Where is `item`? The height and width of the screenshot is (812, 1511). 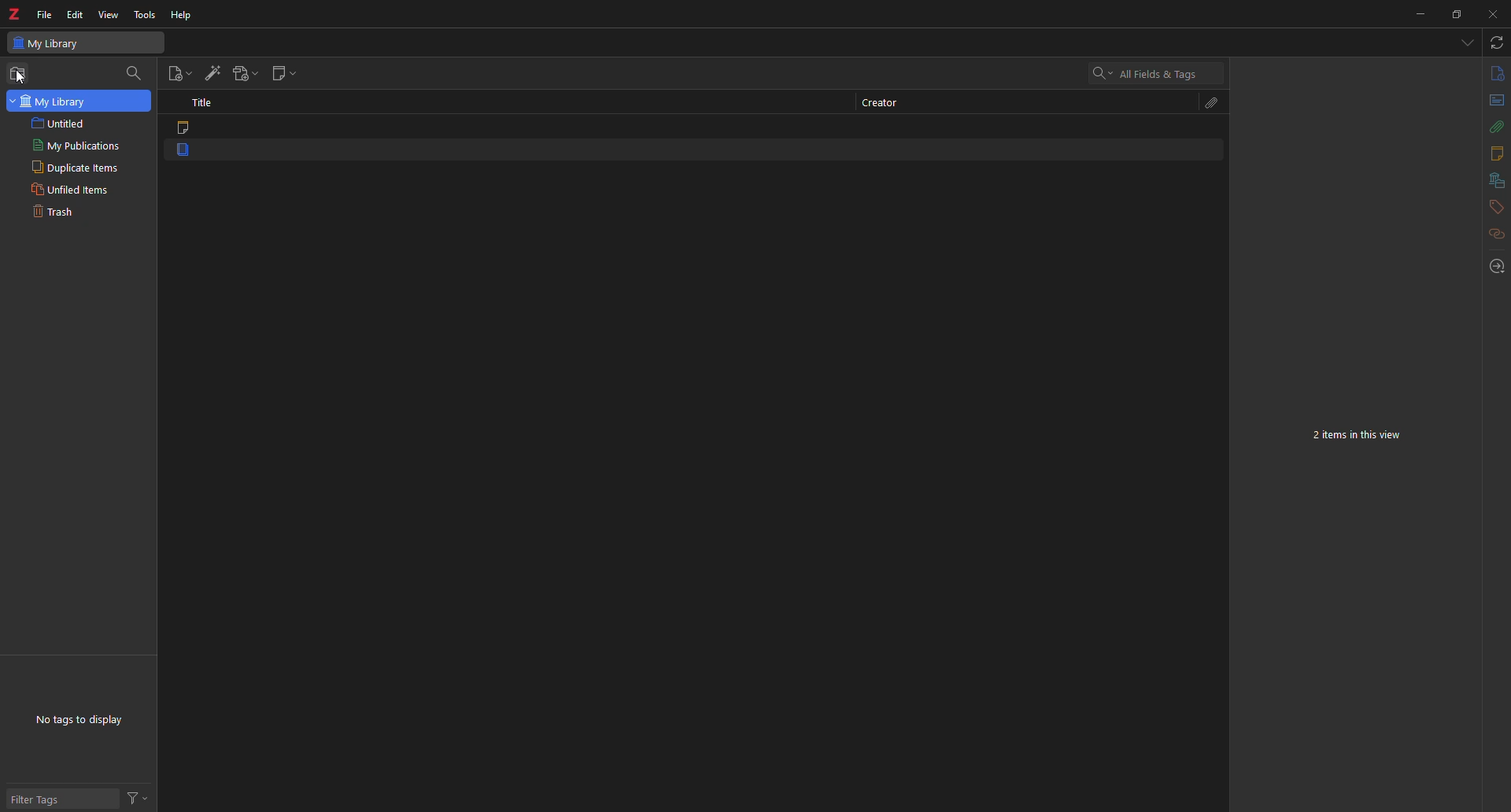 item is located at coordinates (187, 153).